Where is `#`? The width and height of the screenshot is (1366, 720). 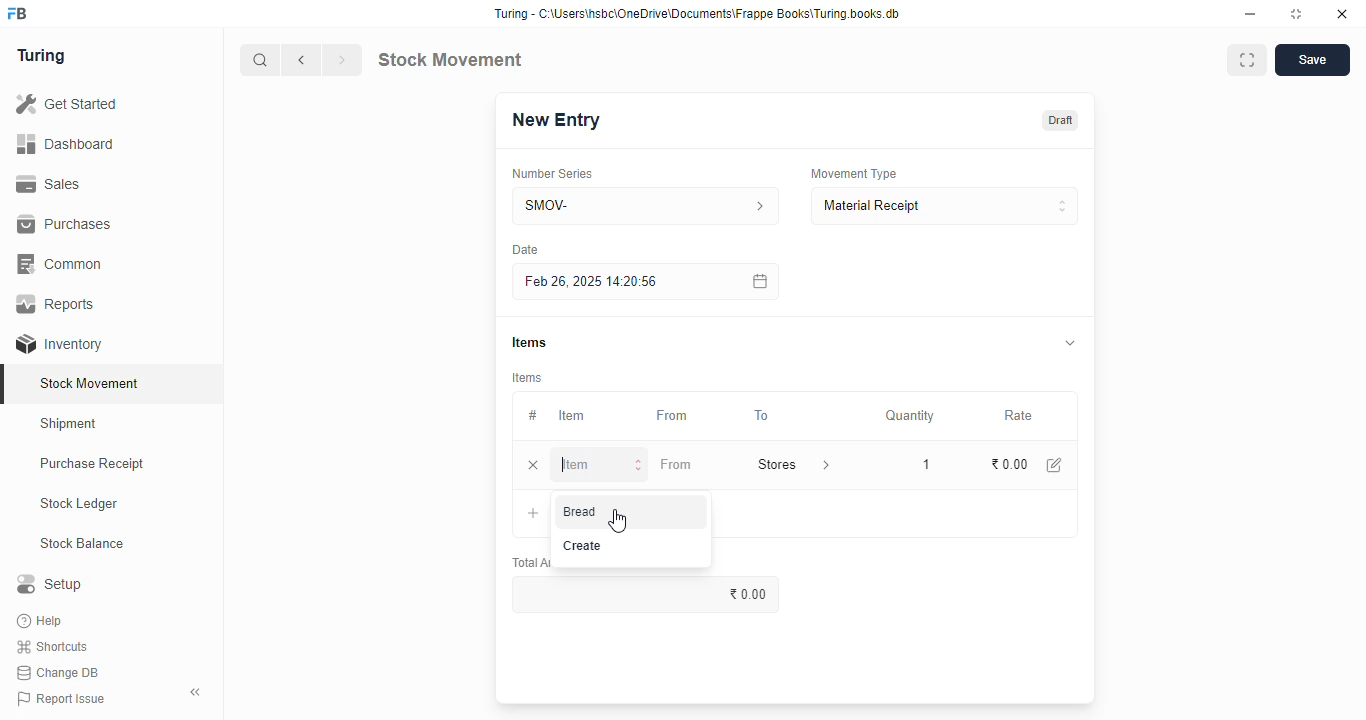 # is located at coordinates (533, 416).